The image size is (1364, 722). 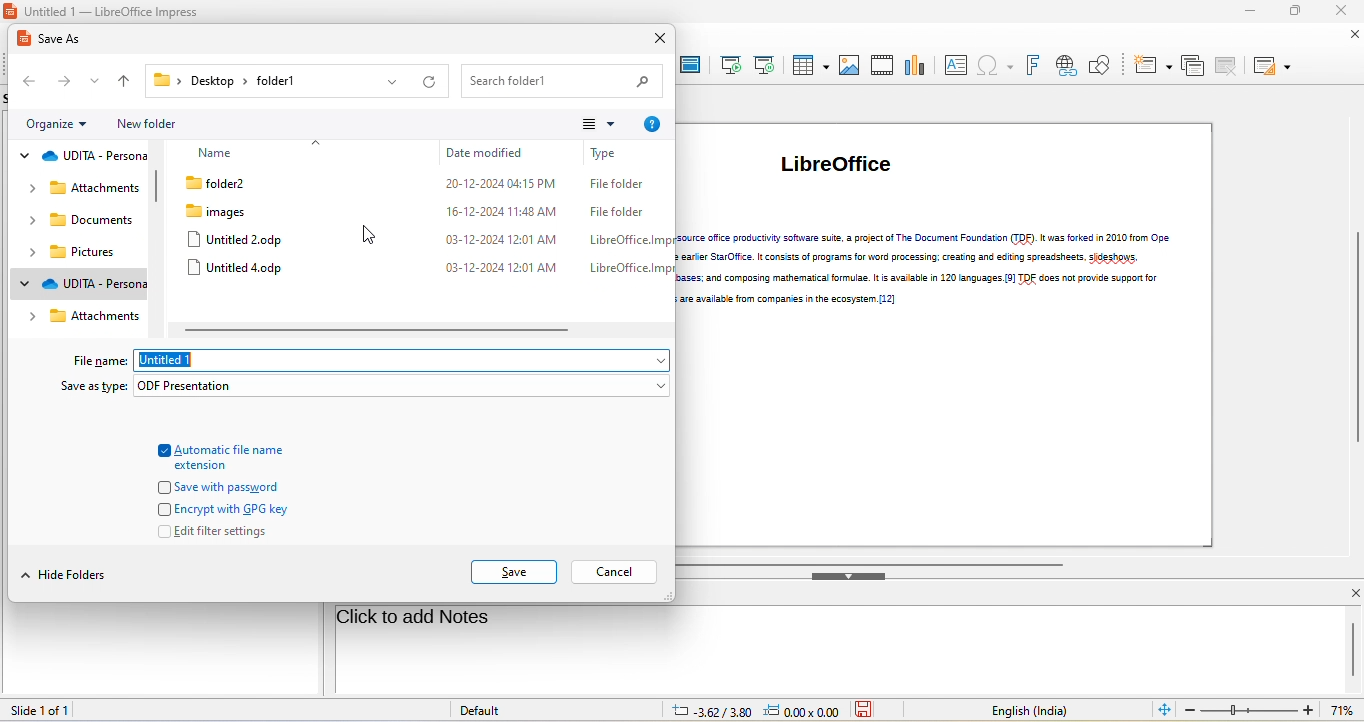 I want to click on untitled 1, so click(x=404, y=360).